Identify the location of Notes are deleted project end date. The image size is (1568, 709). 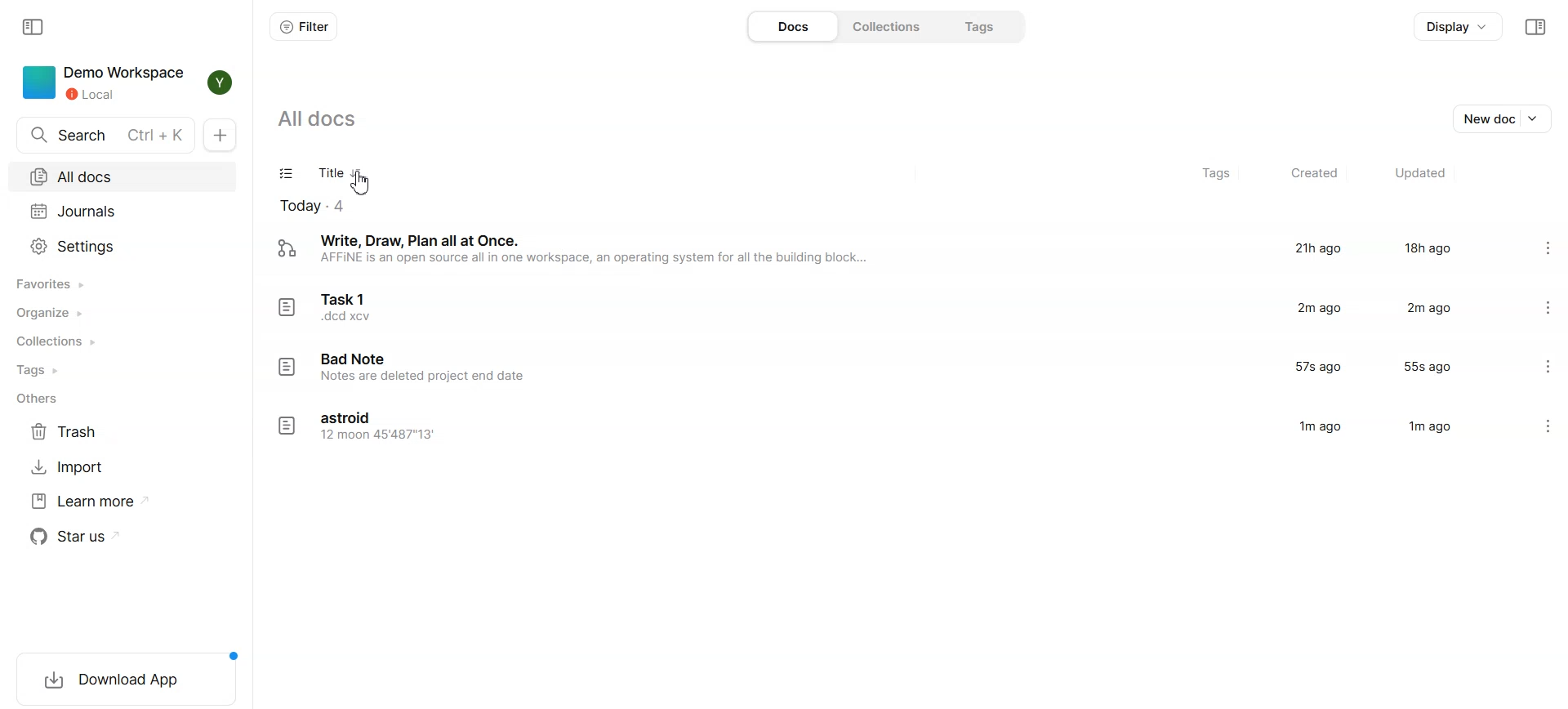
(427, 377).